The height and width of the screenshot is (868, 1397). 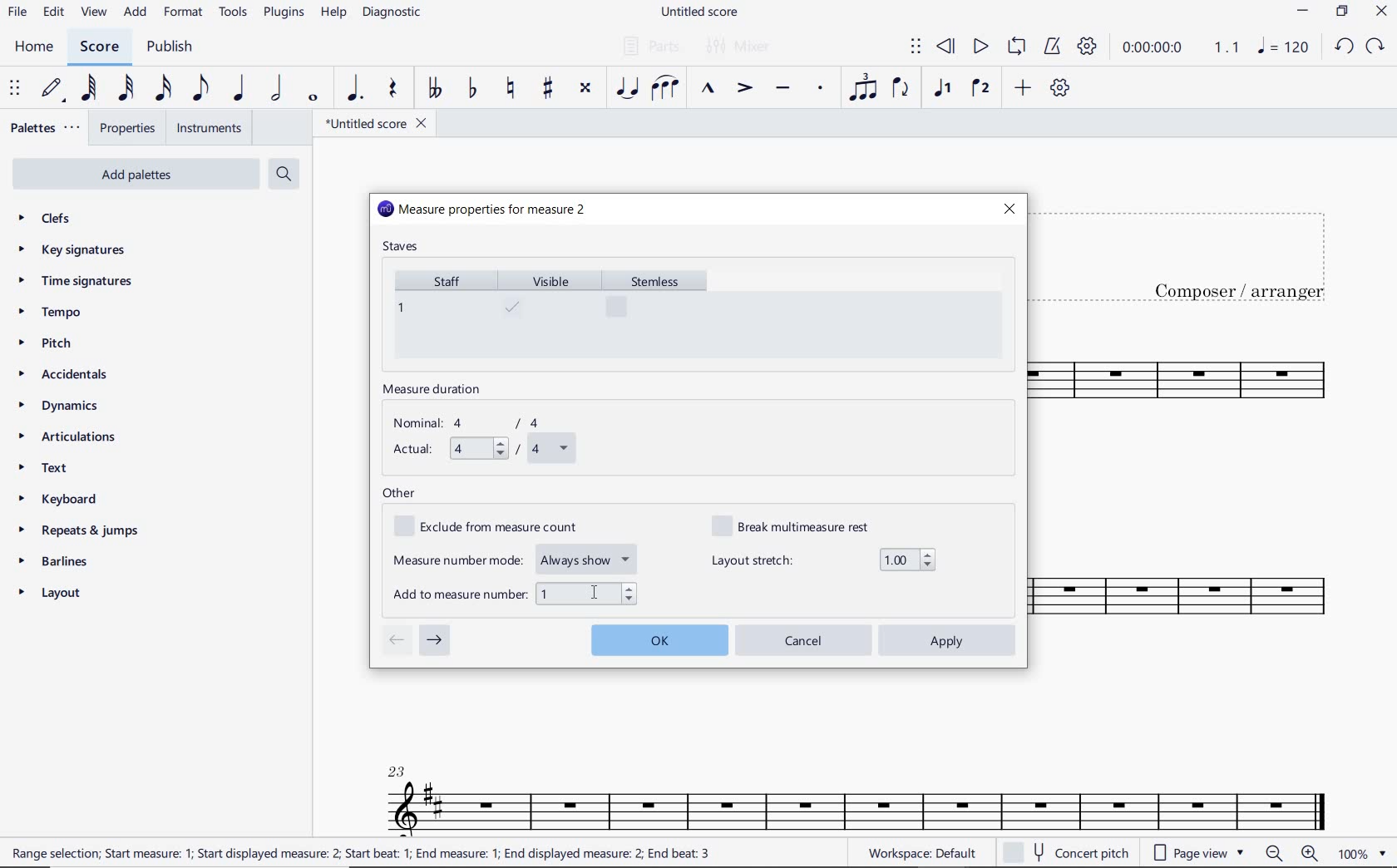 I want to click on exclude from measure count, so click(x=496, y=527).